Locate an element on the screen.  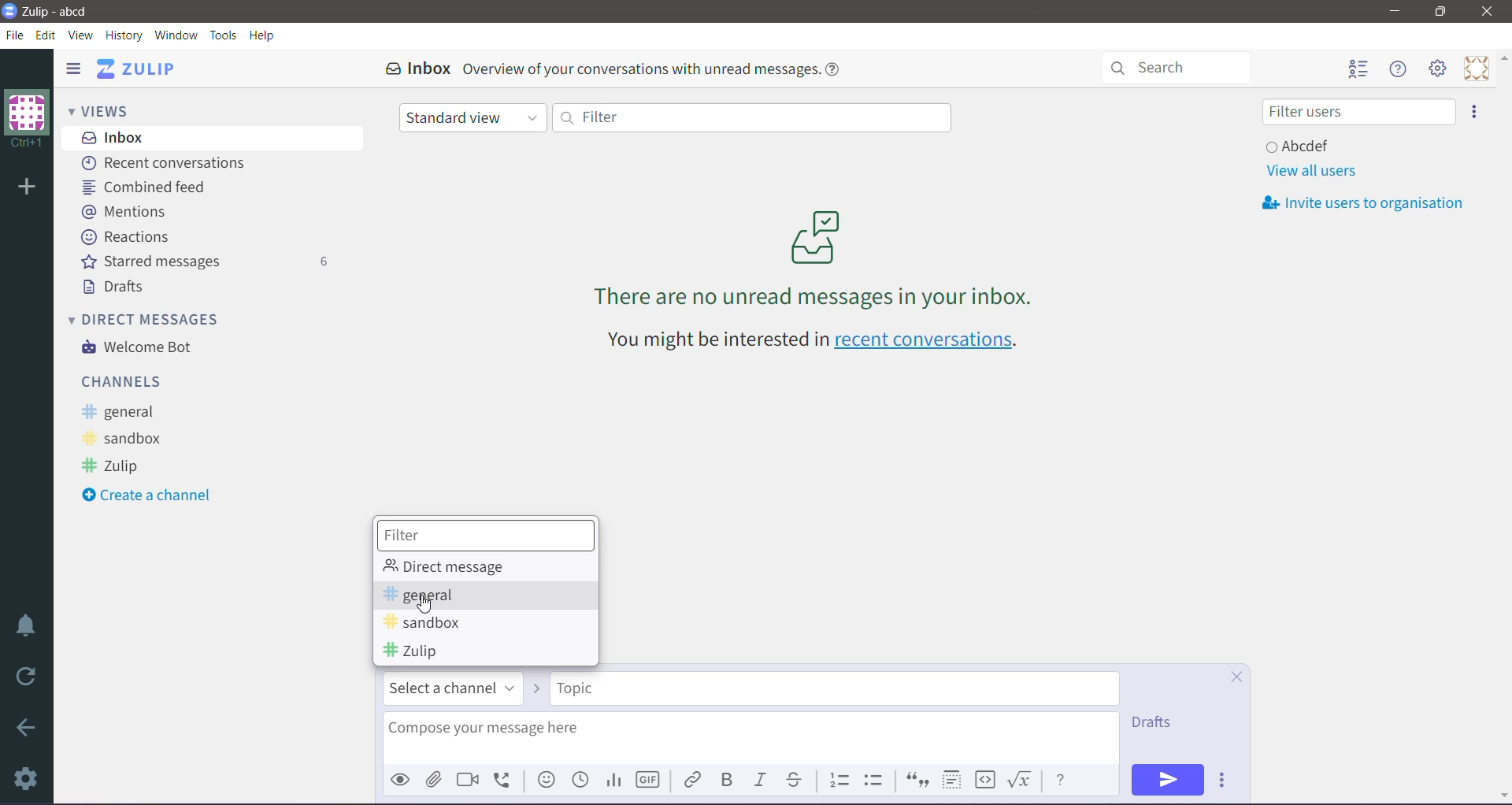
Add voice call is located at coordinates (507, 779).